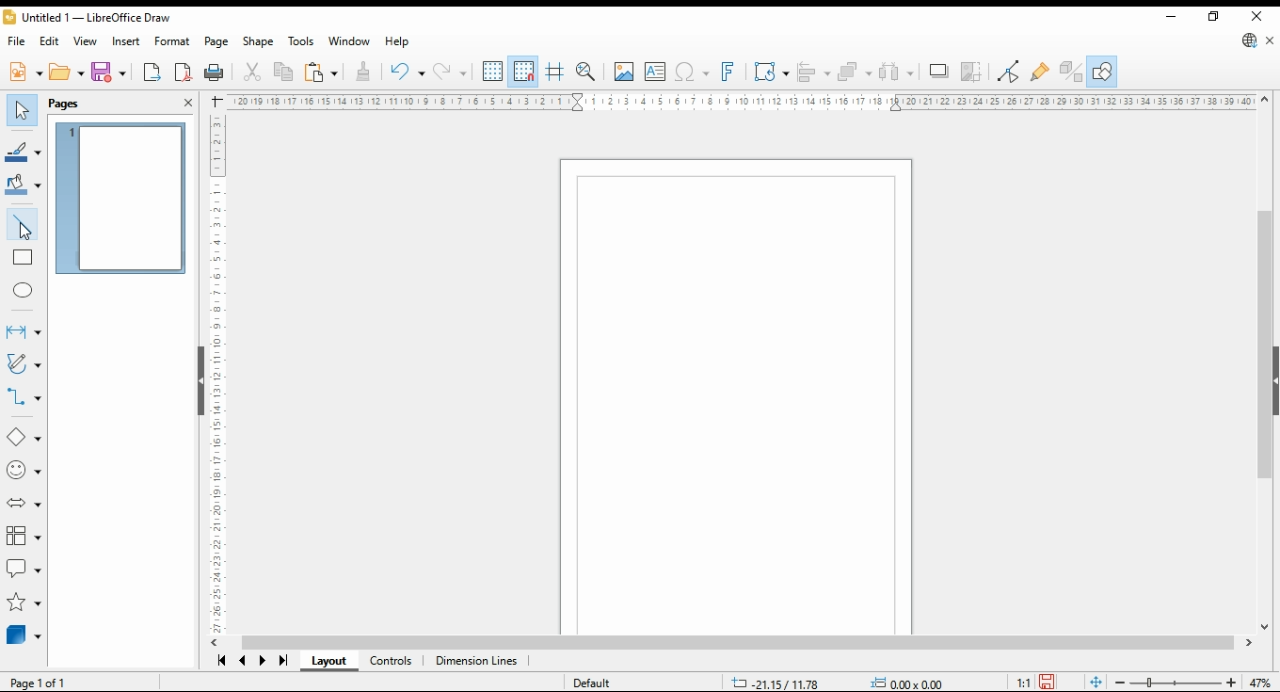  Describe the element at coordinates (221, 662) in the screenshot. I see `first page` at that location.